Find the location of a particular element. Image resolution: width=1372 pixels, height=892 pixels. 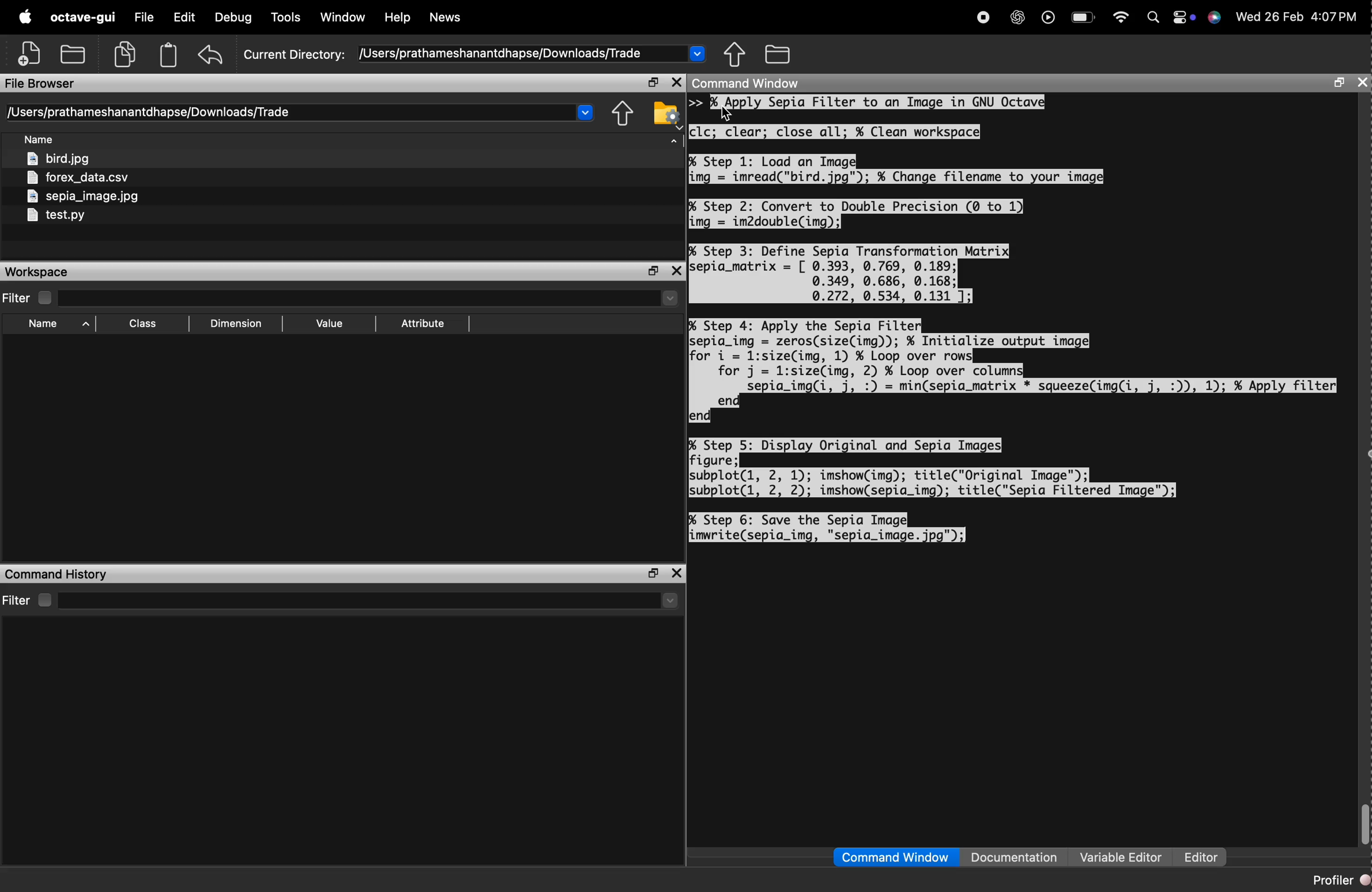

Clipboard  is located at coordinates (170, 55).